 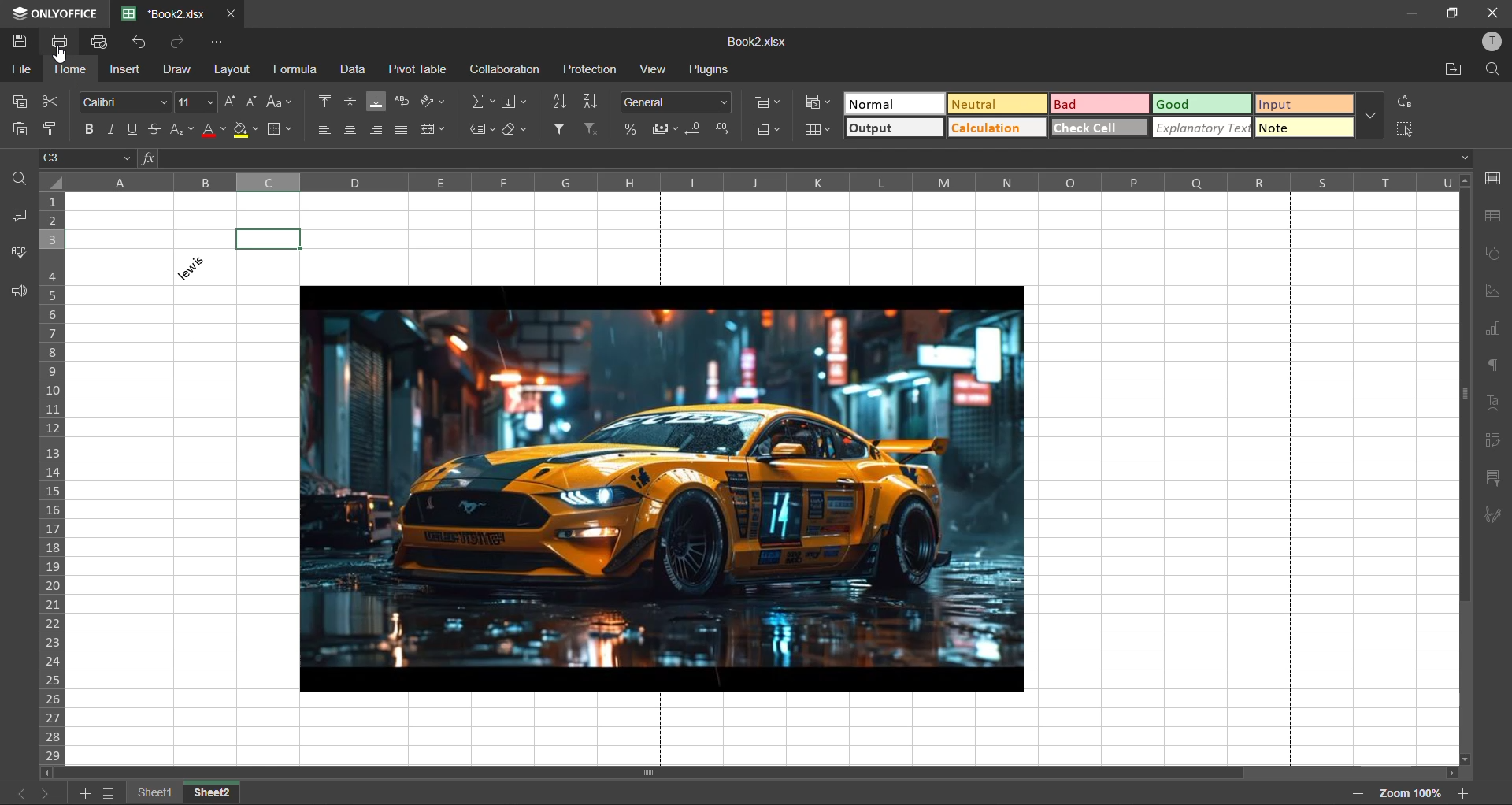 I want to click on close , so click(x=1495, y=14).